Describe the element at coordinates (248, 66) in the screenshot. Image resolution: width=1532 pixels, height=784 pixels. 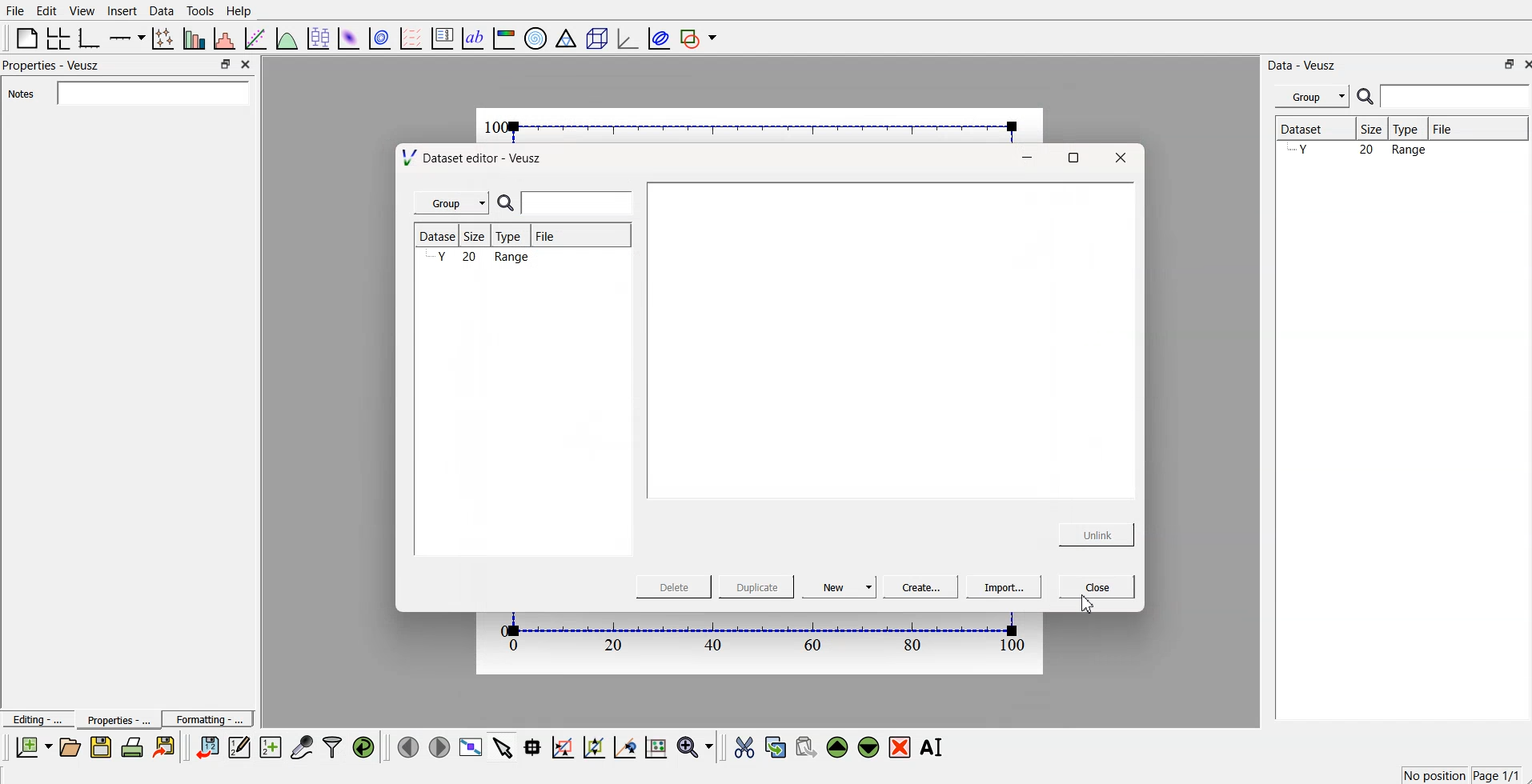
I see `Close` at that location.